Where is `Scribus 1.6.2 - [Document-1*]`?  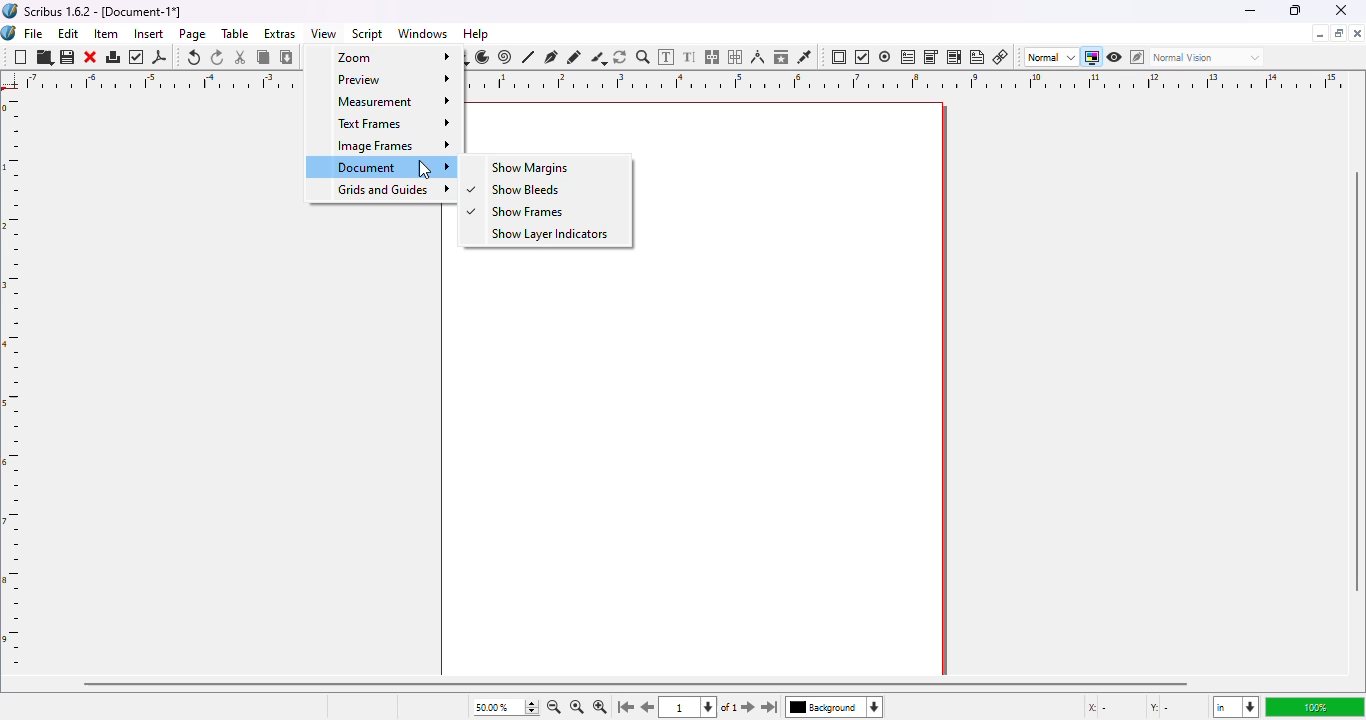
Scribus 1.6.2 - [Document-1*] is located at coordinates (104, 11).